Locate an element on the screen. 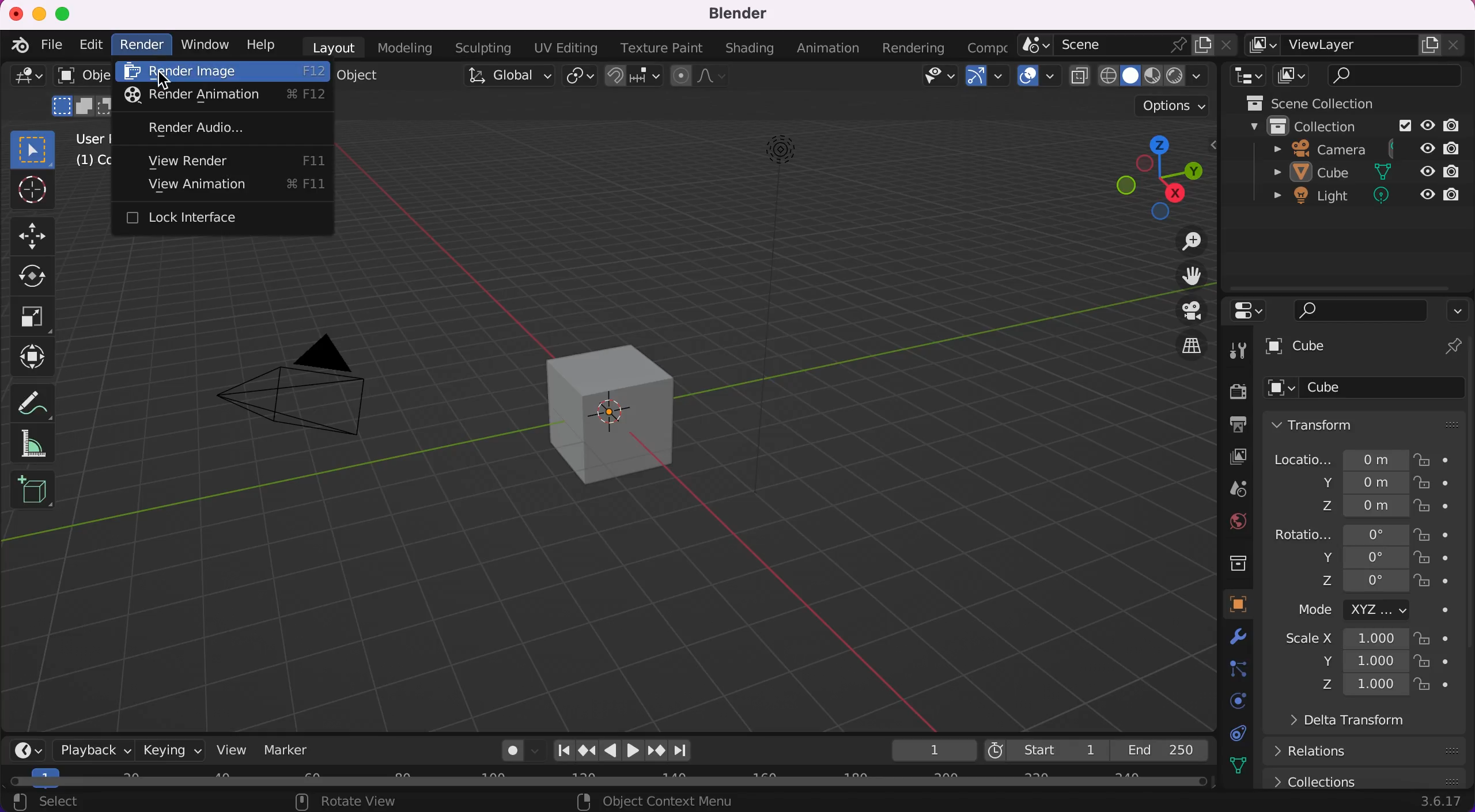 The image size is (1475, 812). z 0m is located at coordinates (1333, 507).